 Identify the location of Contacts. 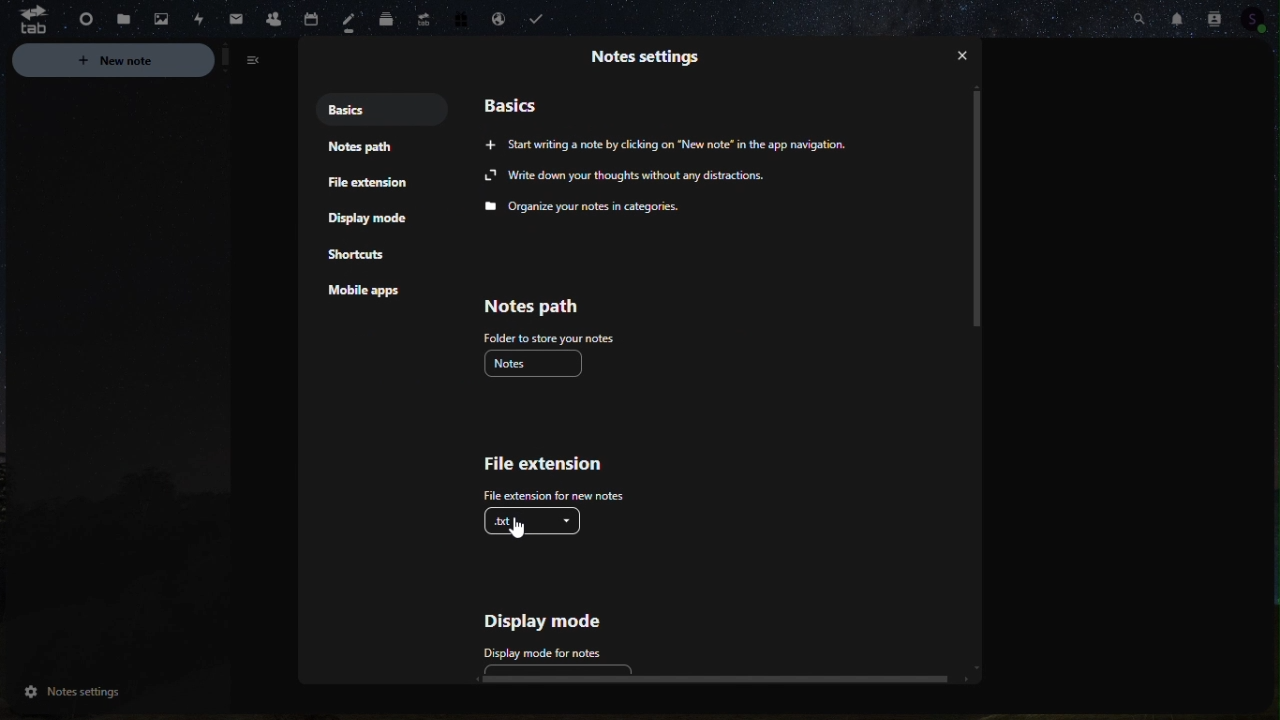
(271, 16).